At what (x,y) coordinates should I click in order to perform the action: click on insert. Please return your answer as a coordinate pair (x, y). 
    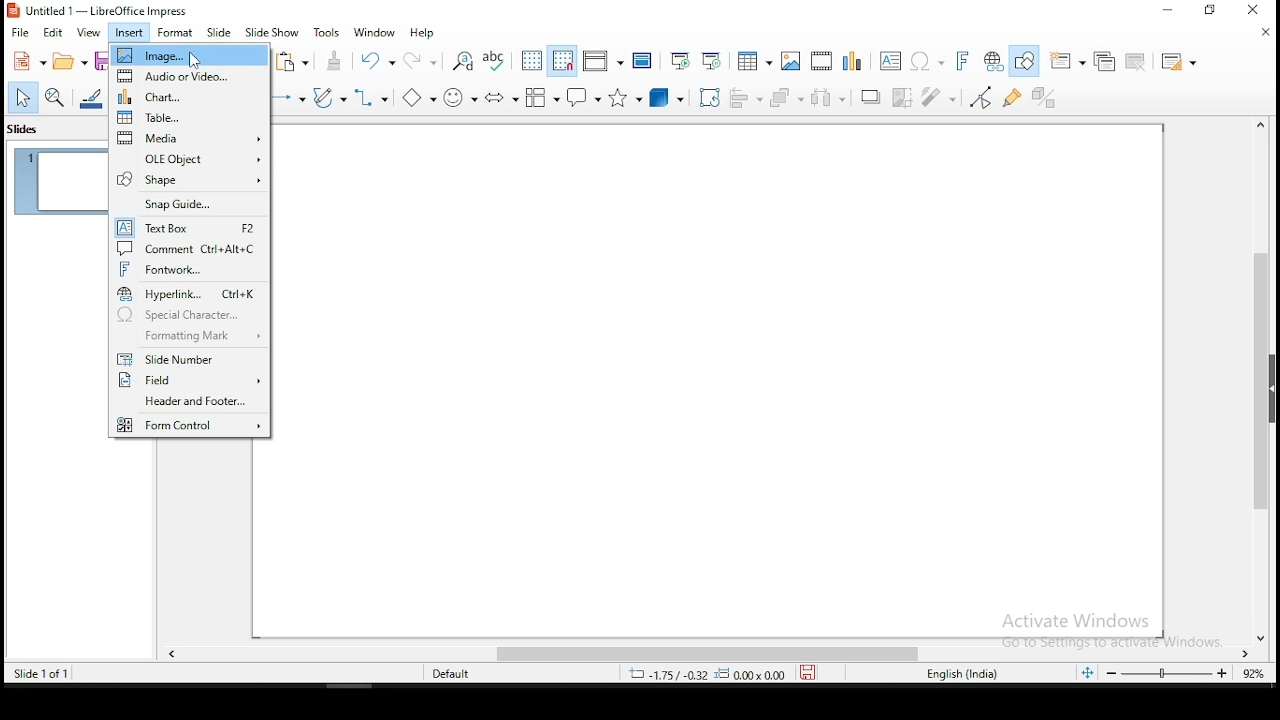
    Looking at the image, I should click on (128, 31).